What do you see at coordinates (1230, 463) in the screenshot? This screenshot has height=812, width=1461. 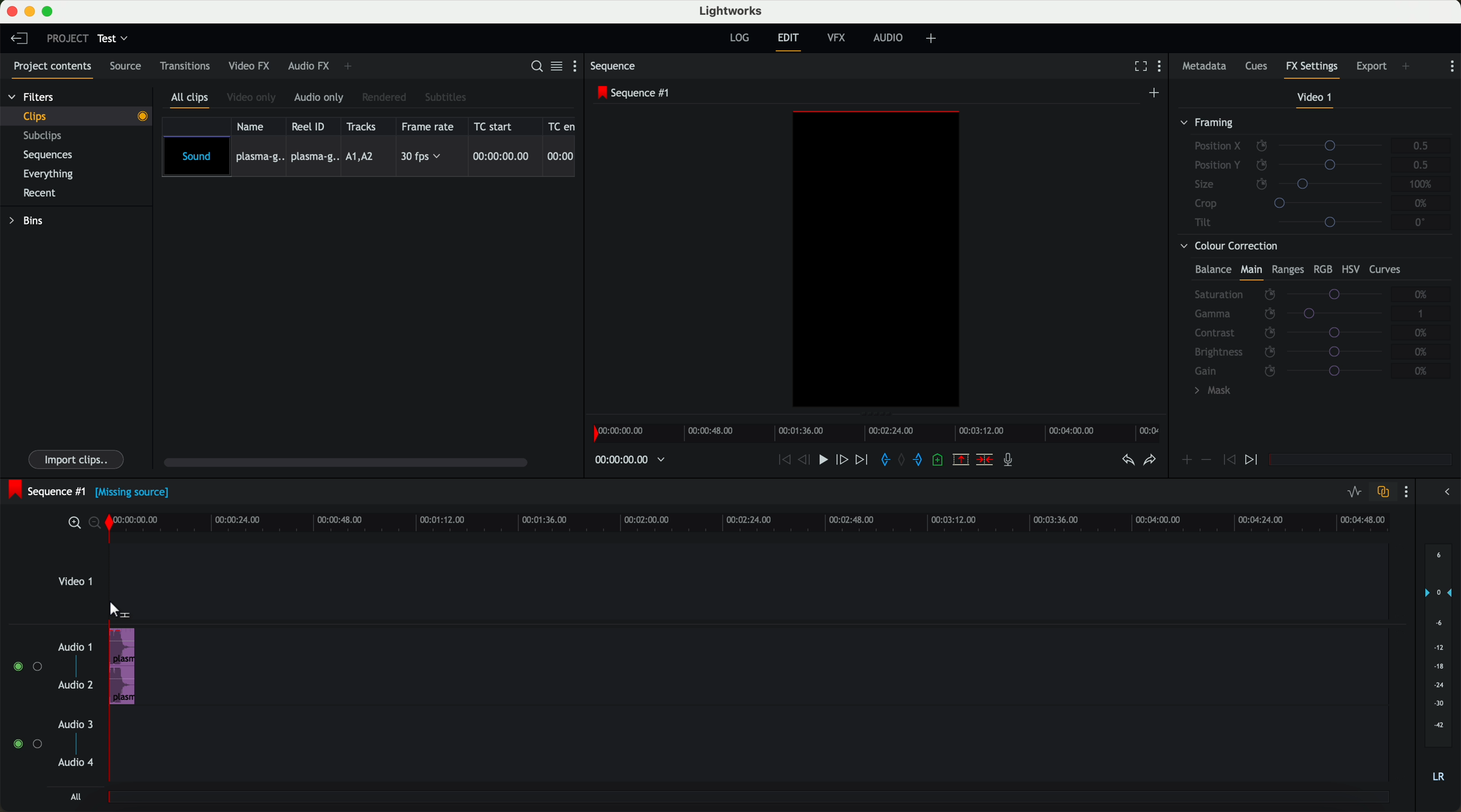 I see `jump to previous keyframe` at bounding box center [1230, 463].